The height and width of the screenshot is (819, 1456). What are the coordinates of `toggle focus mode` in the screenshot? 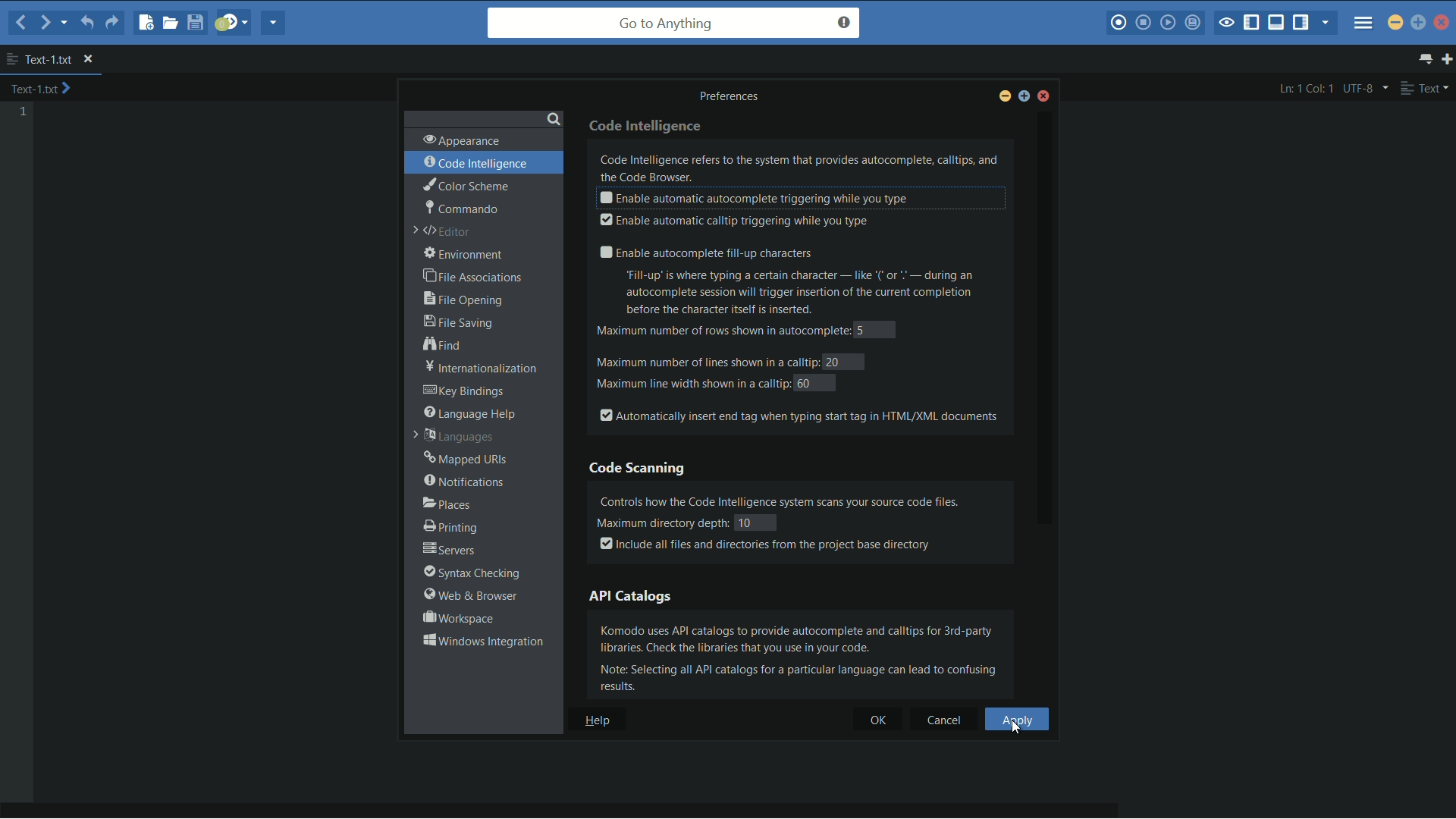 It's located at (1226, 24).